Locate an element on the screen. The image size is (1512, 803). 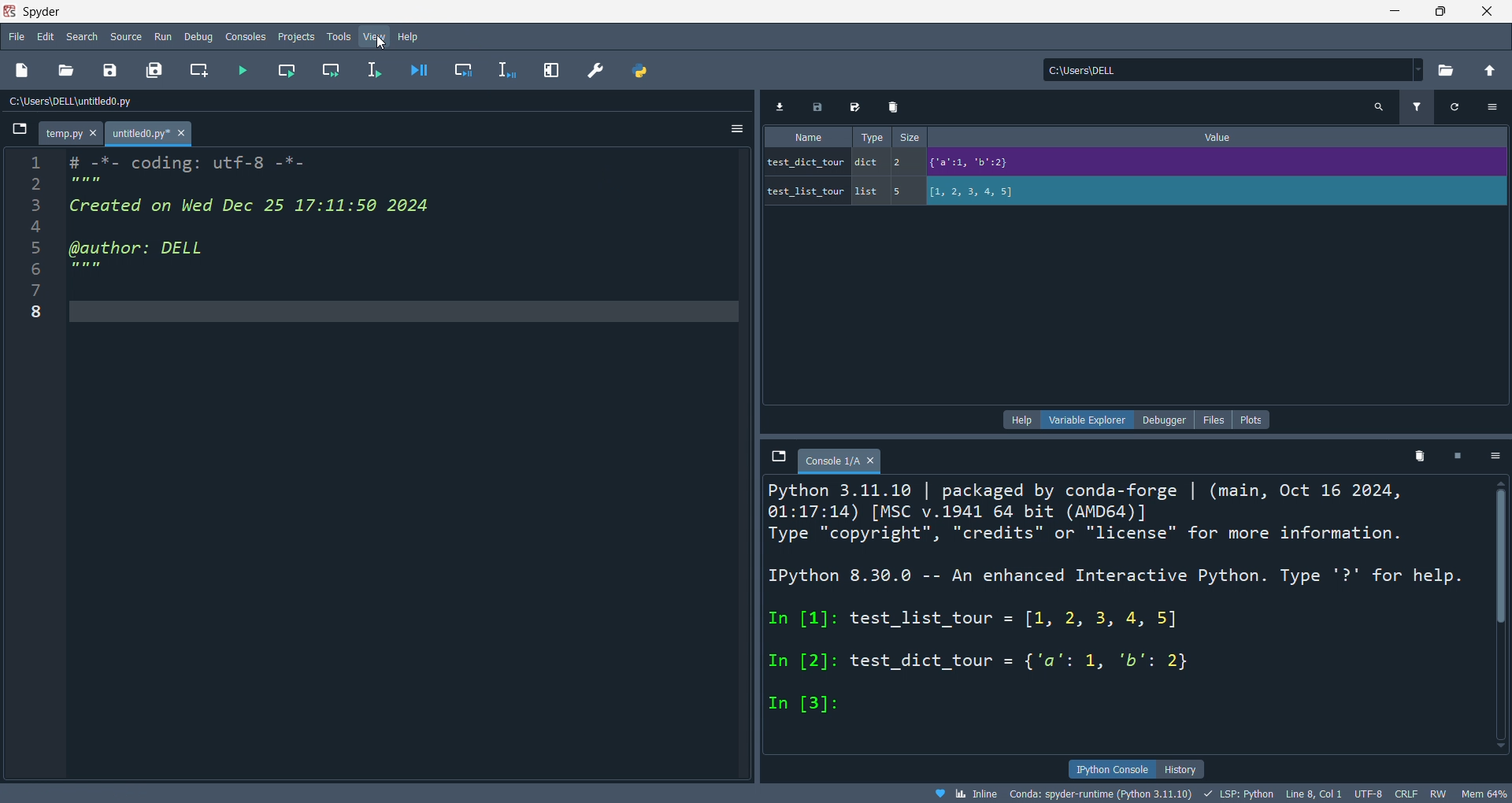
options is located at coordinates (1492, 106).